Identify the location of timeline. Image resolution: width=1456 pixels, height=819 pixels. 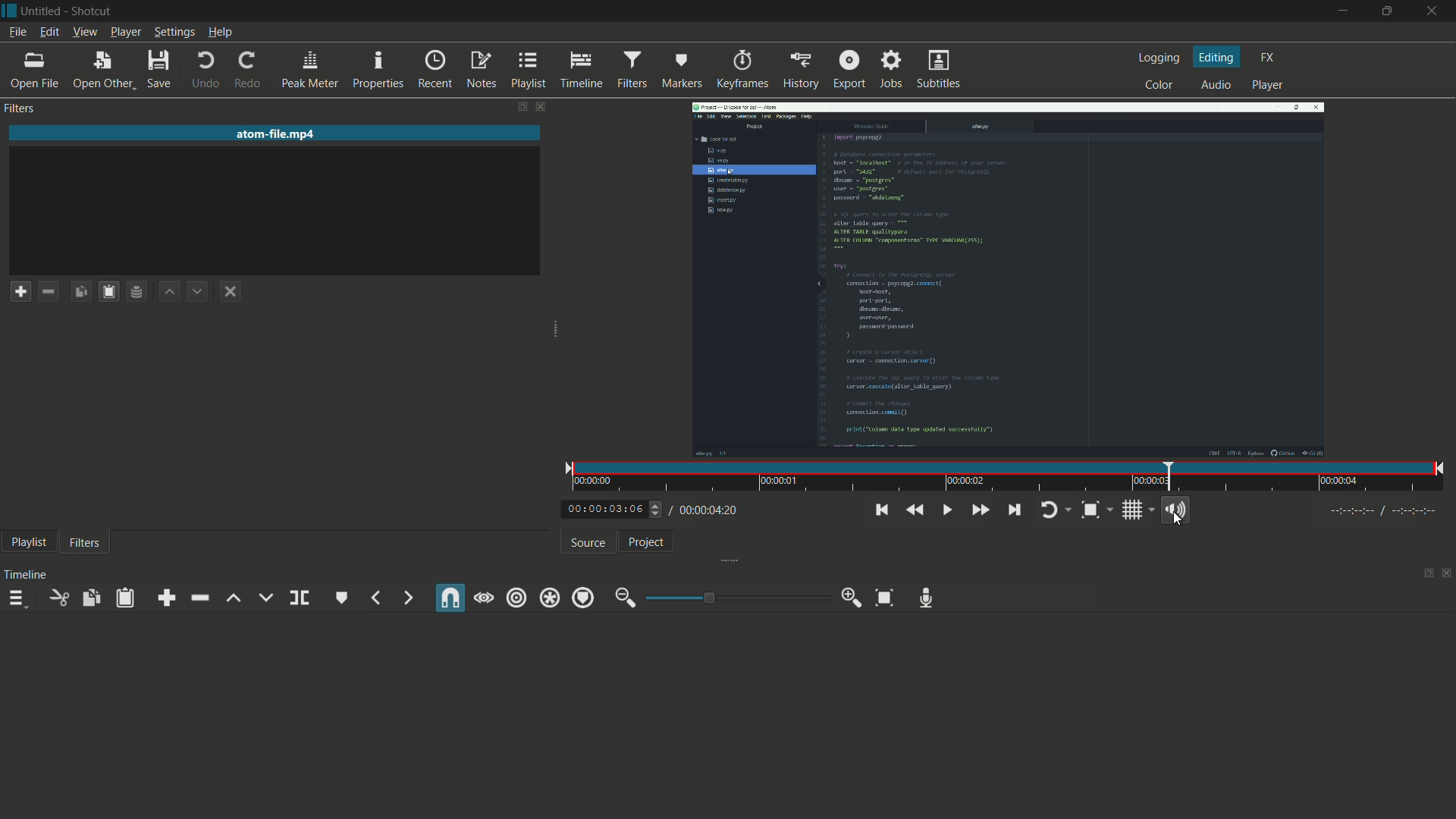
(581, 71).